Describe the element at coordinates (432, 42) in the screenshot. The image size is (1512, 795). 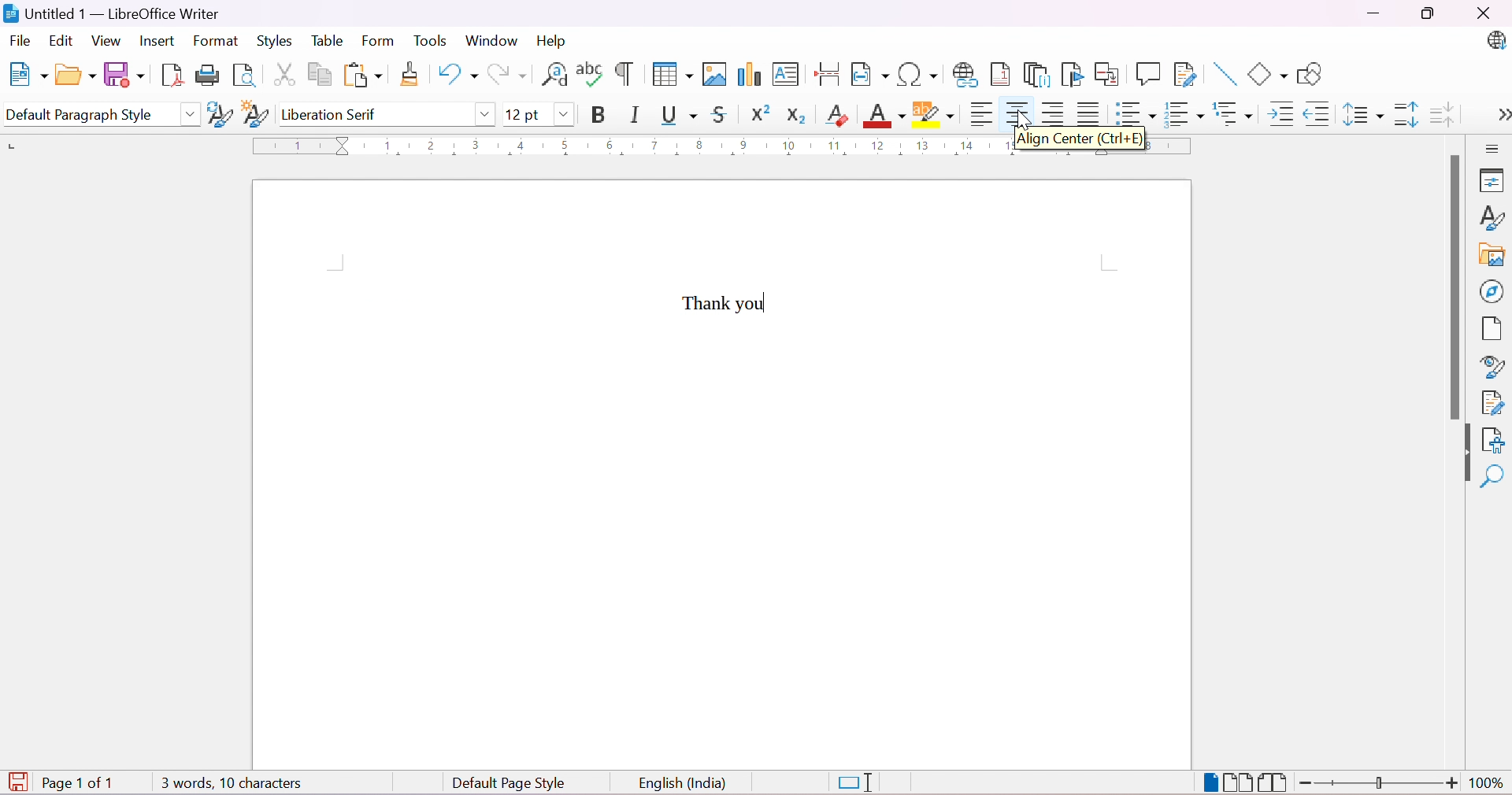
I see `Tools` at that location.